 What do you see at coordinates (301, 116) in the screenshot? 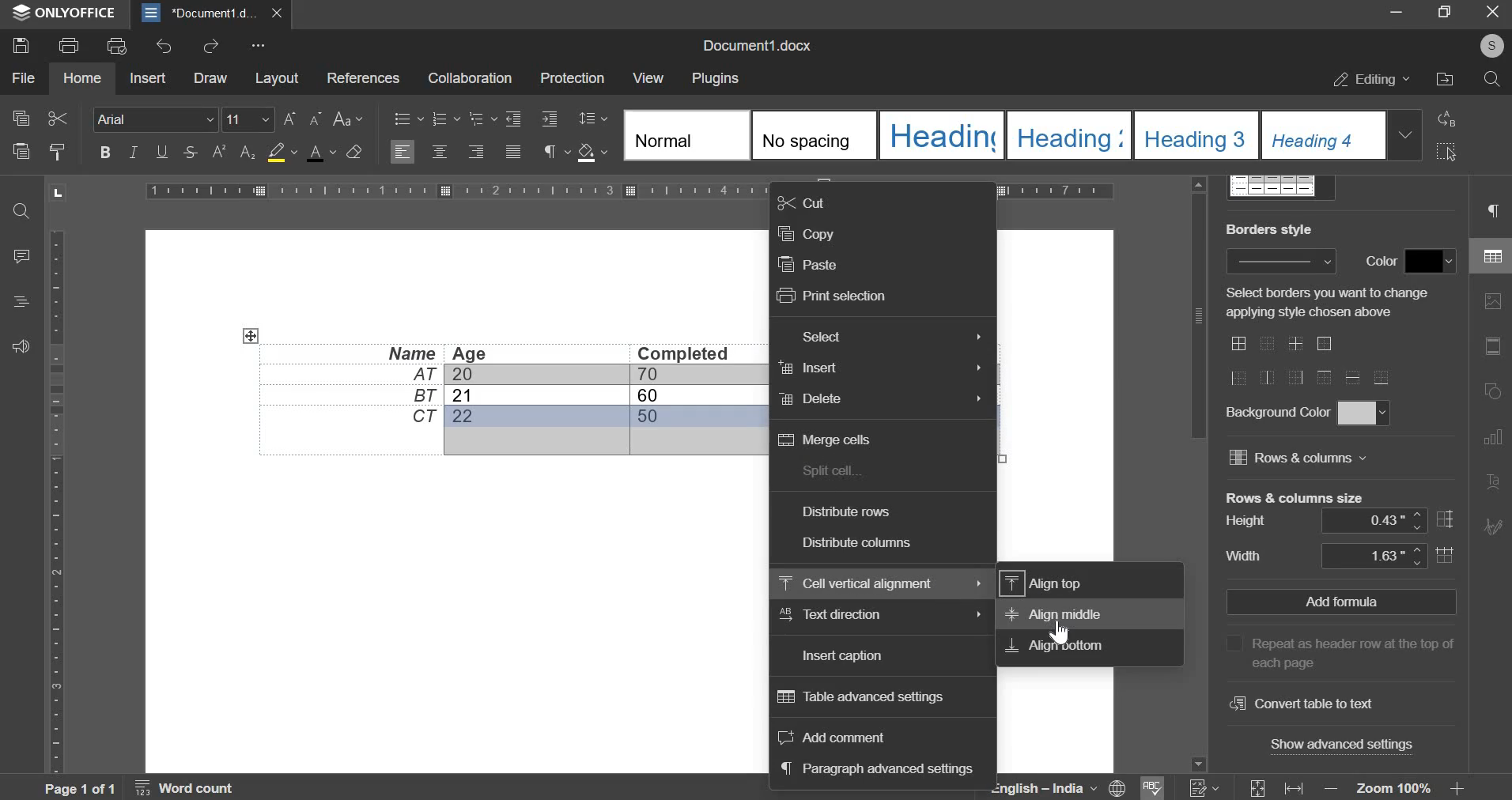
I see `font size chane` at bounding box center [301, 116].